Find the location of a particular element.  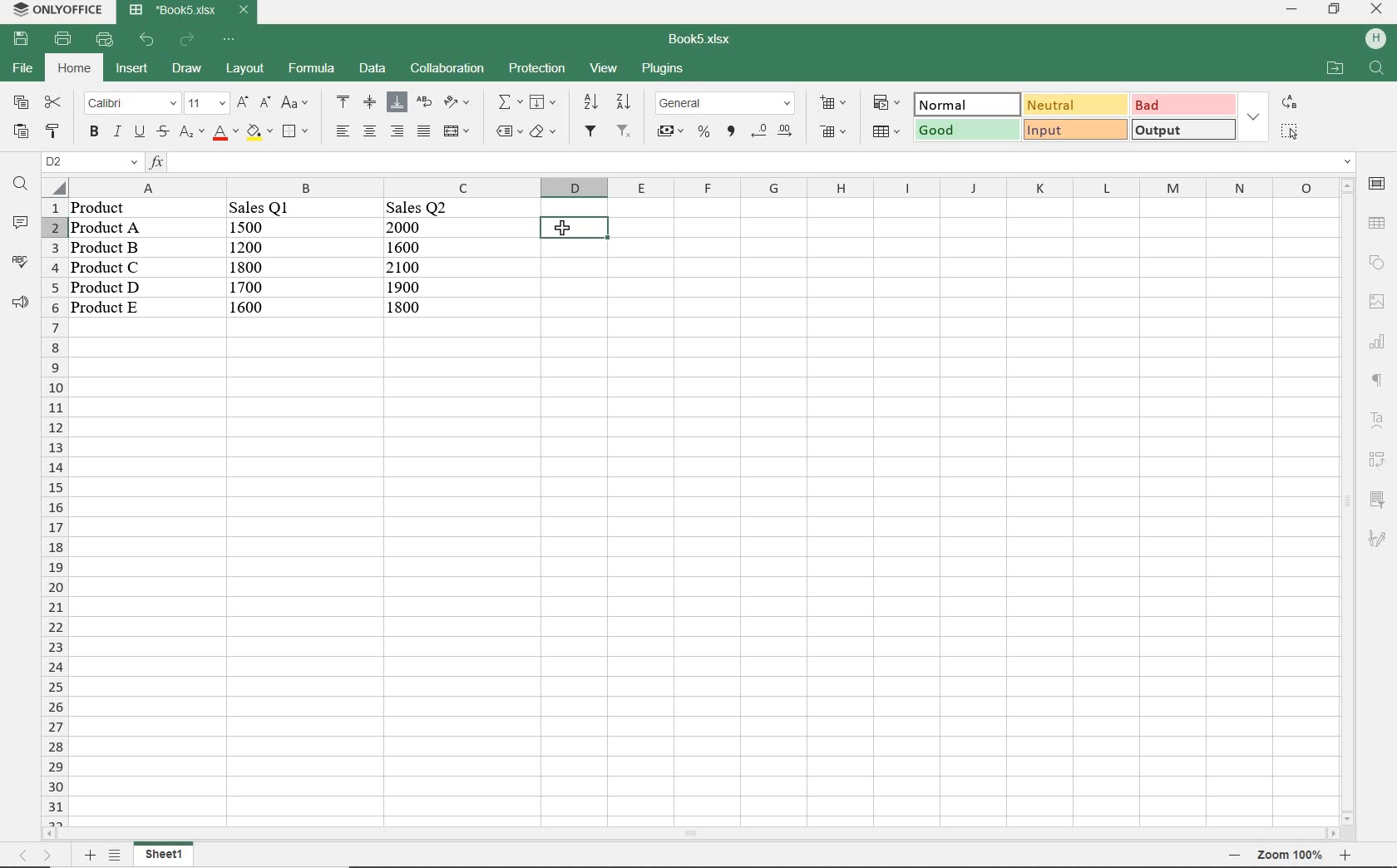

orientation is located at coordinates (455, 103).